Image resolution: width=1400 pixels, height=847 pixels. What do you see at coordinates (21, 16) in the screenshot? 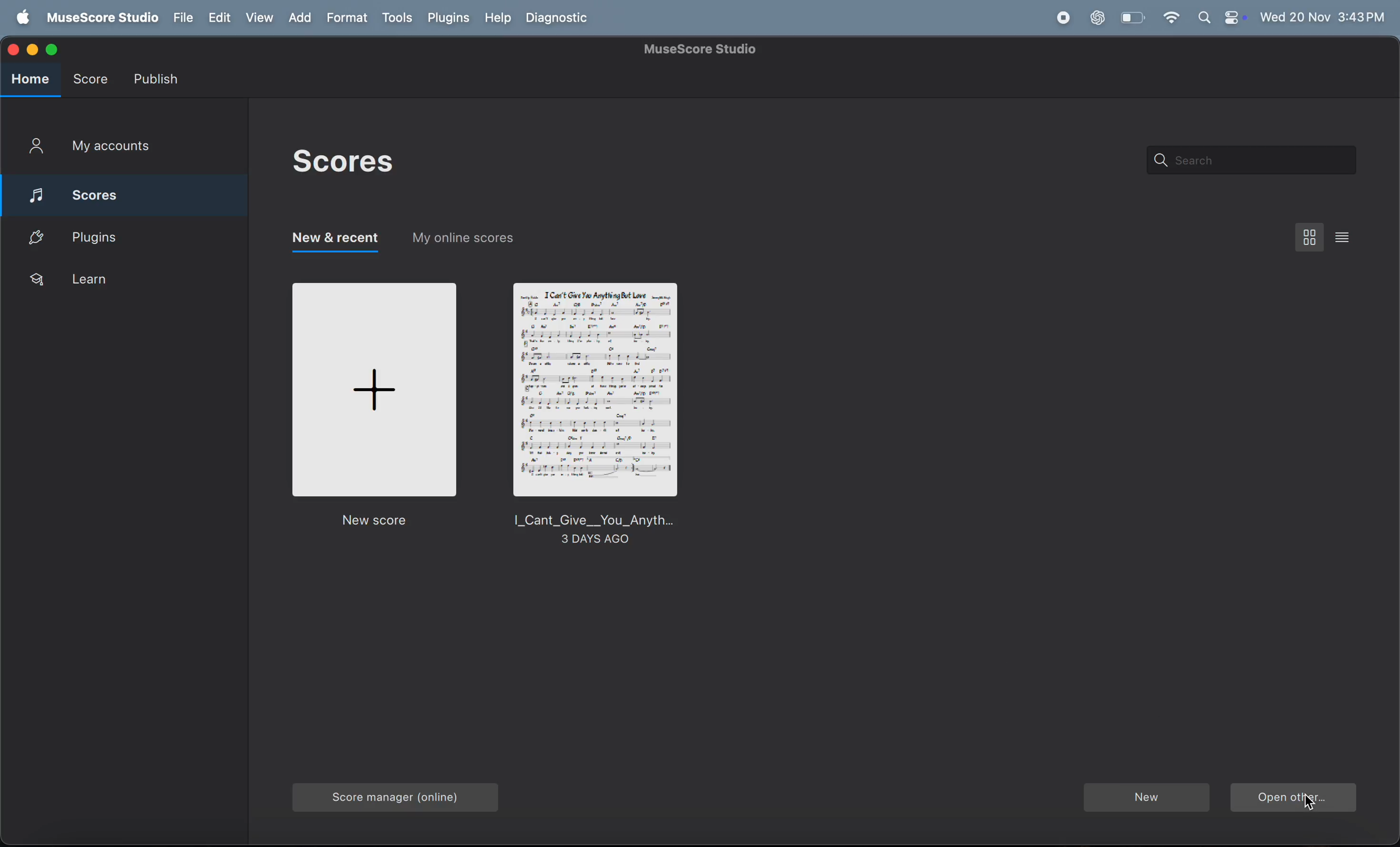
I see `apple menu` at bounding box center [21, 16].